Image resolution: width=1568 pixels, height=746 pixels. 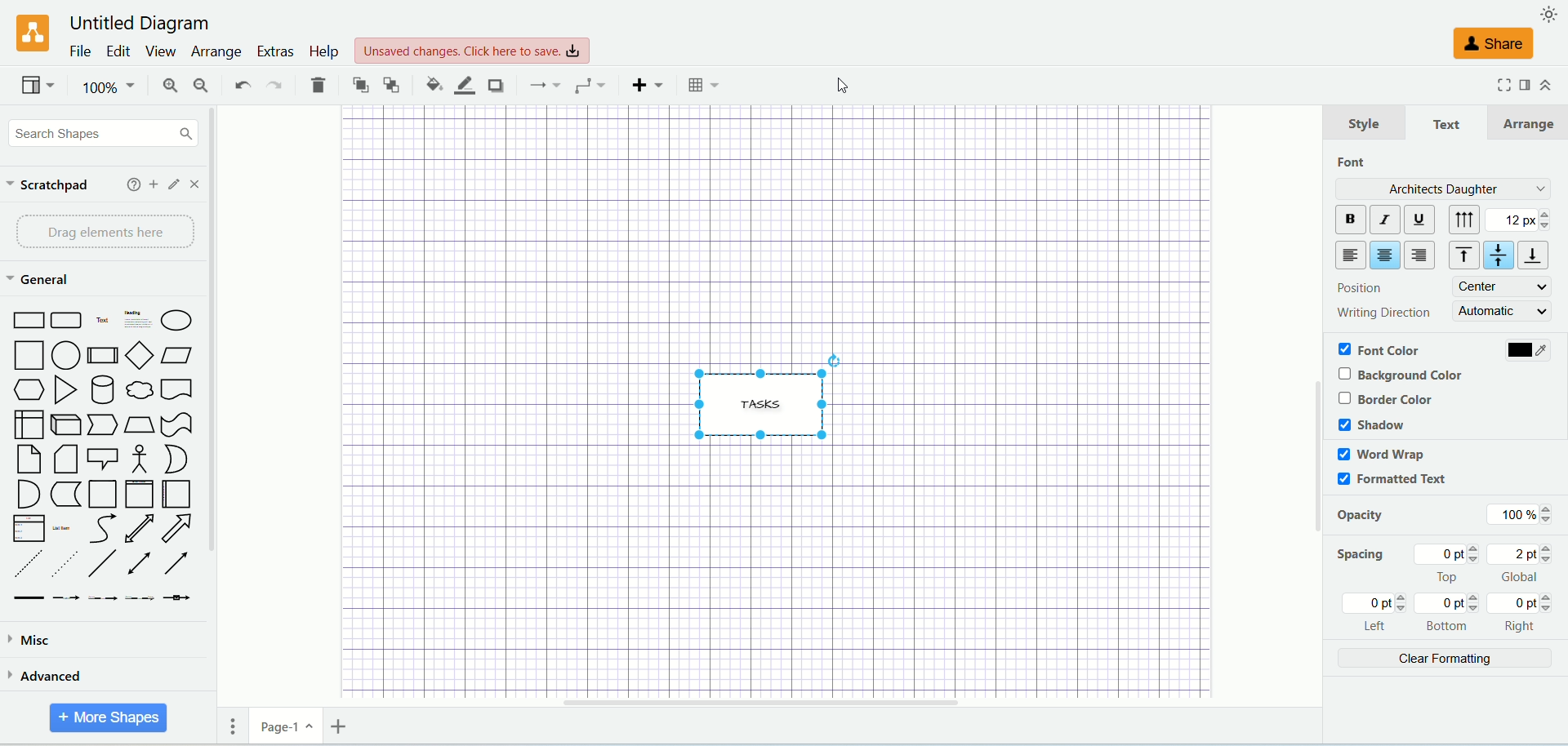 What do you see at coordinates (1526, 86) in the screenshot?
I see `format` at bounding box center [1526, 86].